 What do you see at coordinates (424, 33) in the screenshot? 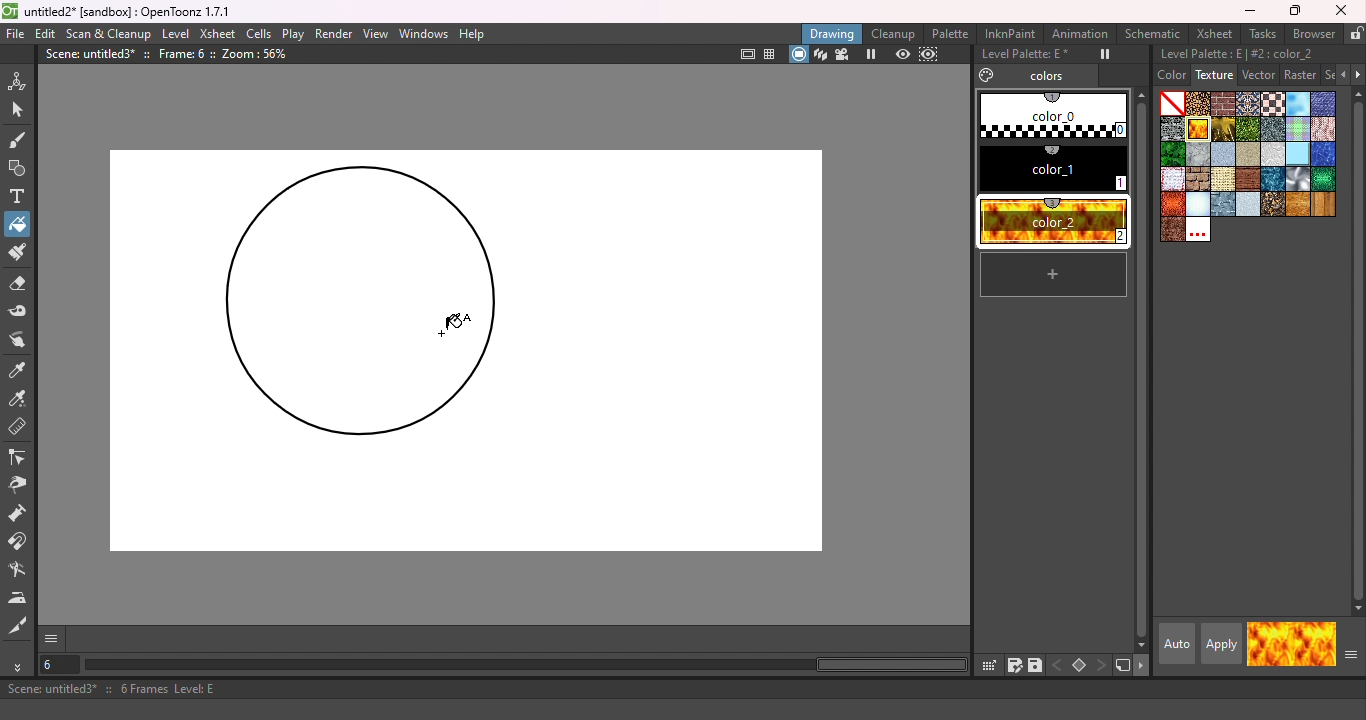
I see `Windows` at bounding box center [424, 33].